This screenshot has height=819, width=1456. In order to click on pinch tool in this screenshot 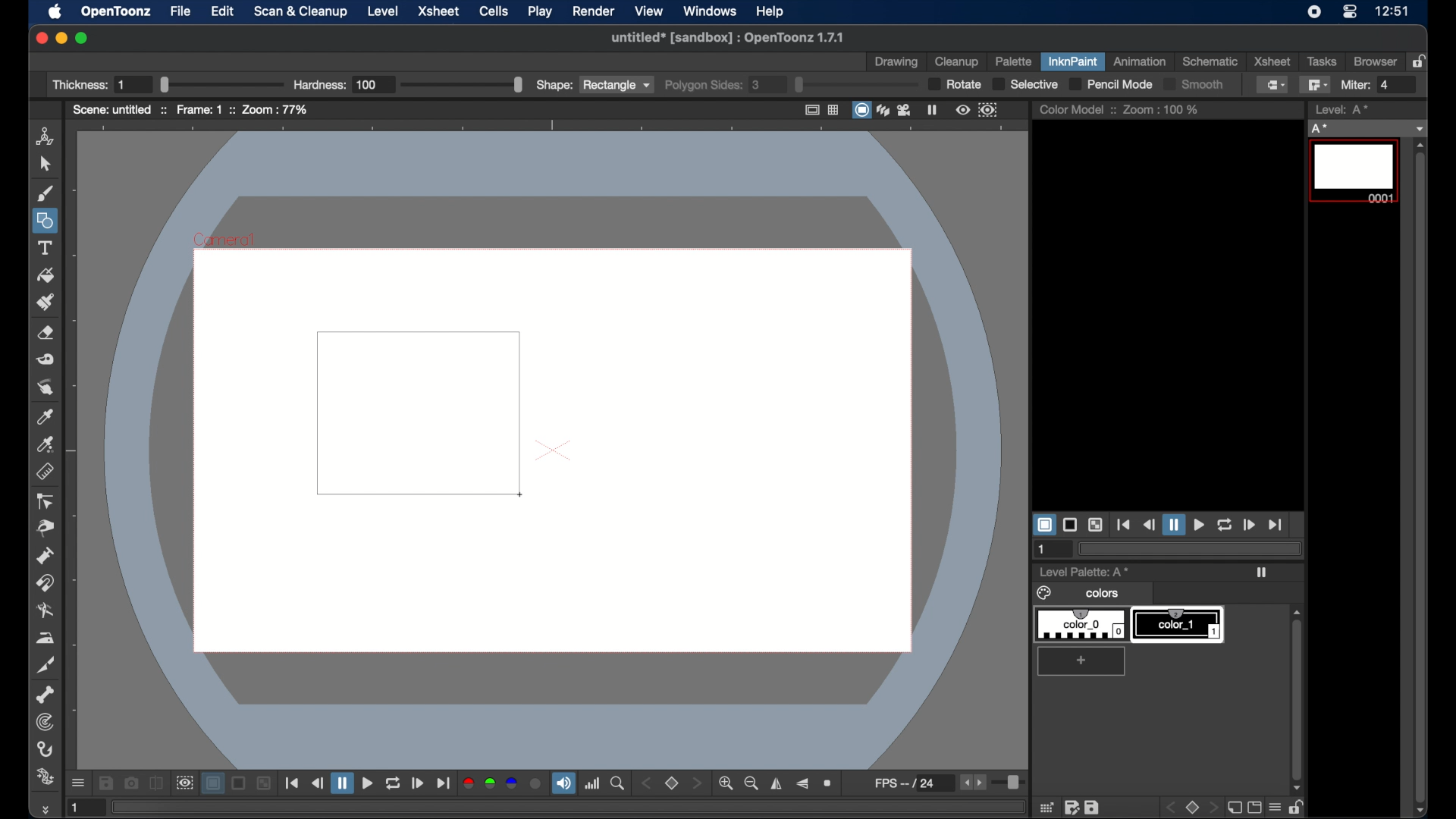, I will do `click(45, 528)`.